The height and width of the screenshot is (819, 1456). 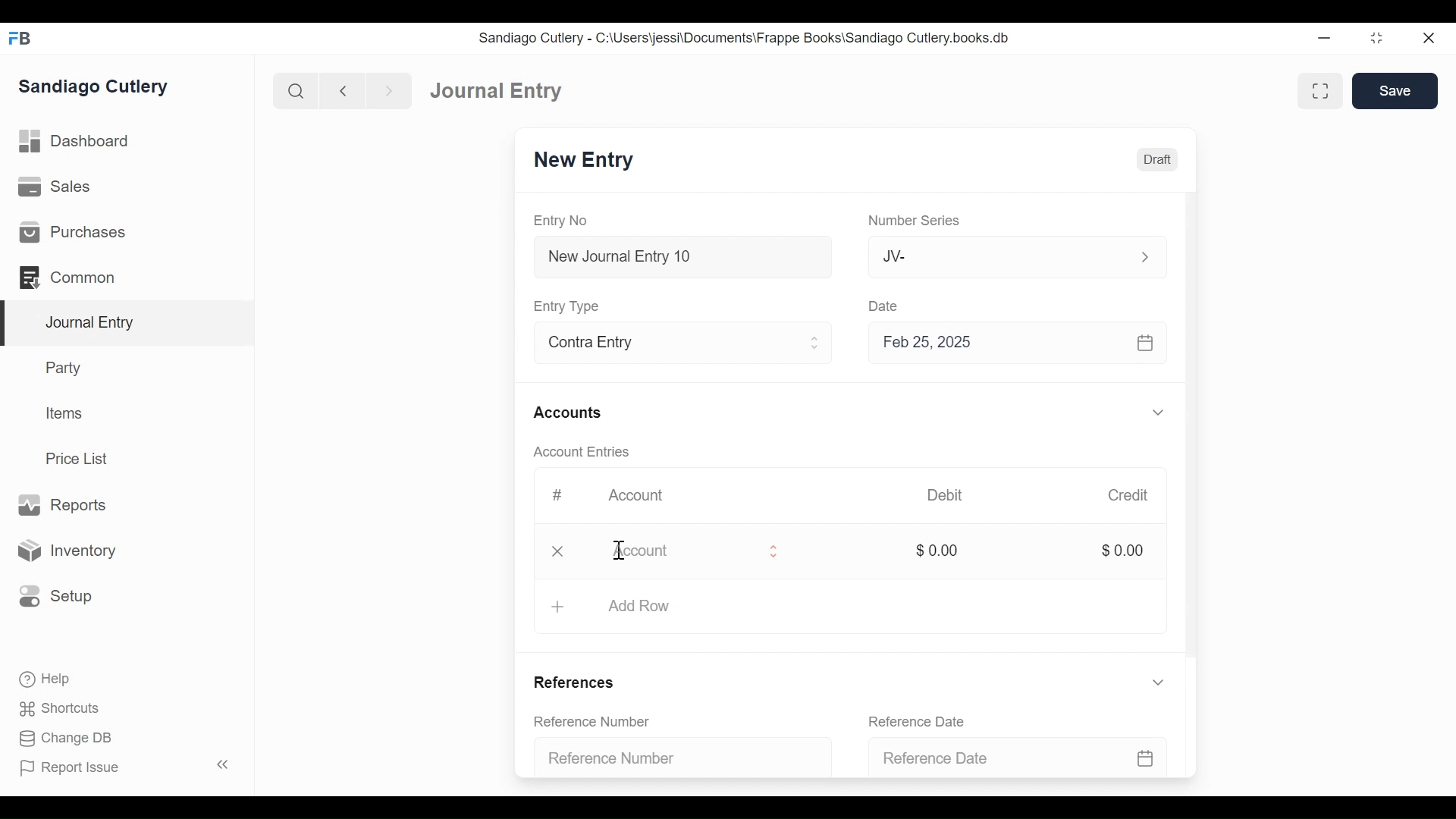 What do you see at coordinates (94, 87) in the screenshot?
I see `Sandiago Cutlery` at bounding box center [94, 87].